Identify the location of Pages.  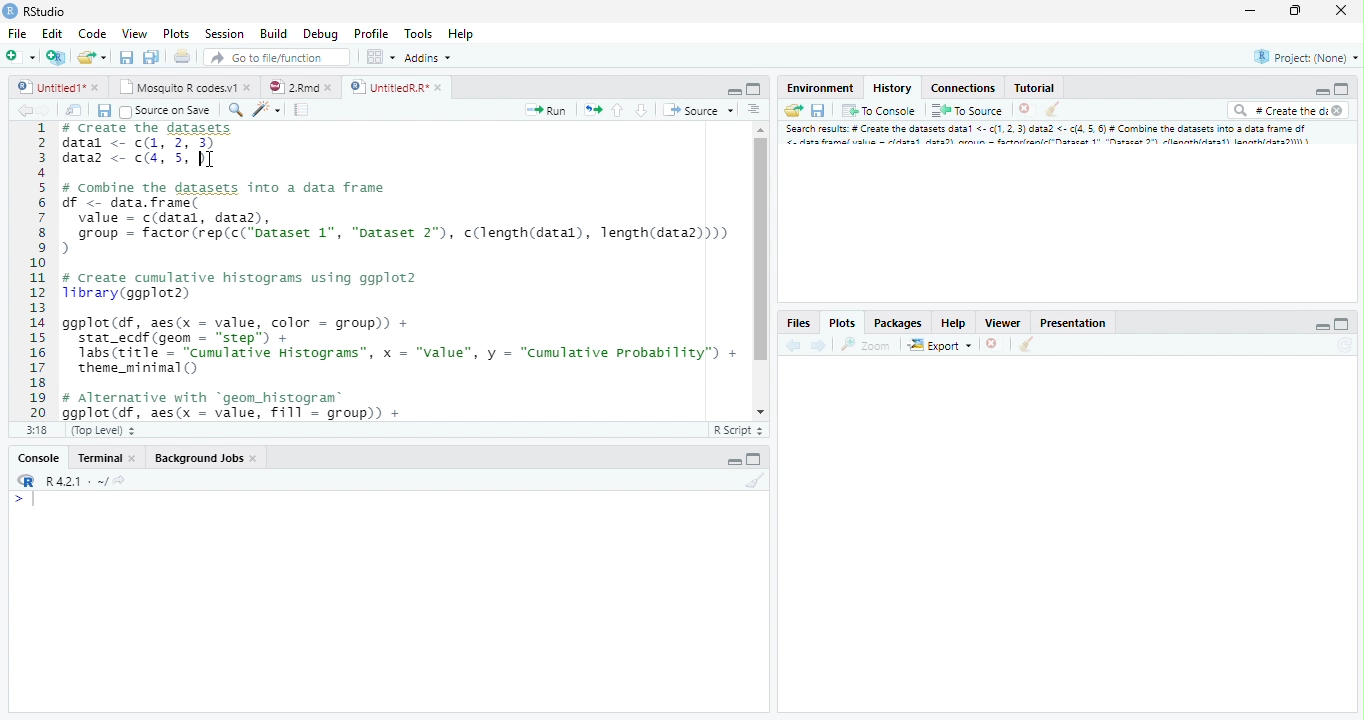
(300, 111).